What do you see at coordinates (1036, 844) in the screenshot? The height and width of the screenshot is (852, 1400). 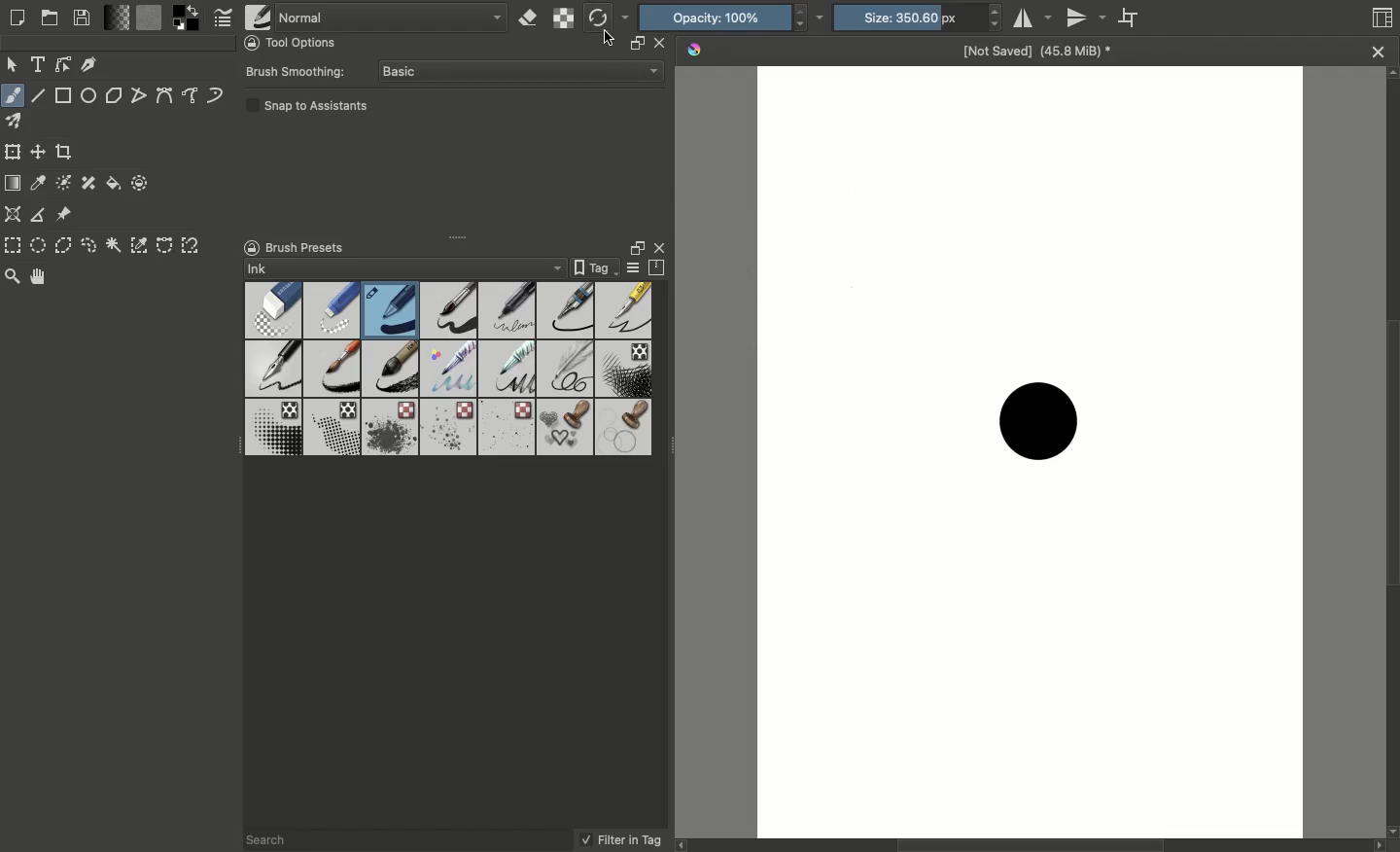 I see `Scroll` at bounding box center [1036, 844].